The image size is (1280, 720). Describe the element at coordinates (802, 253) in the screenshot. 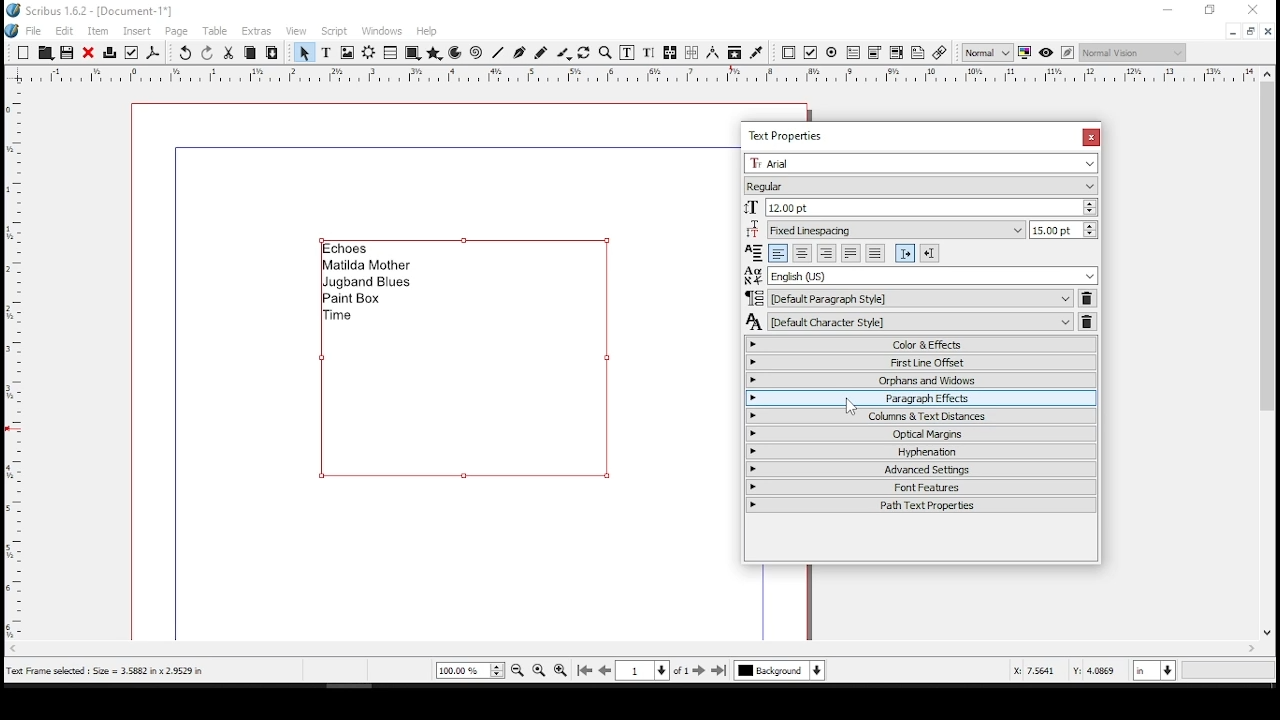

I see `align text center` at that location.